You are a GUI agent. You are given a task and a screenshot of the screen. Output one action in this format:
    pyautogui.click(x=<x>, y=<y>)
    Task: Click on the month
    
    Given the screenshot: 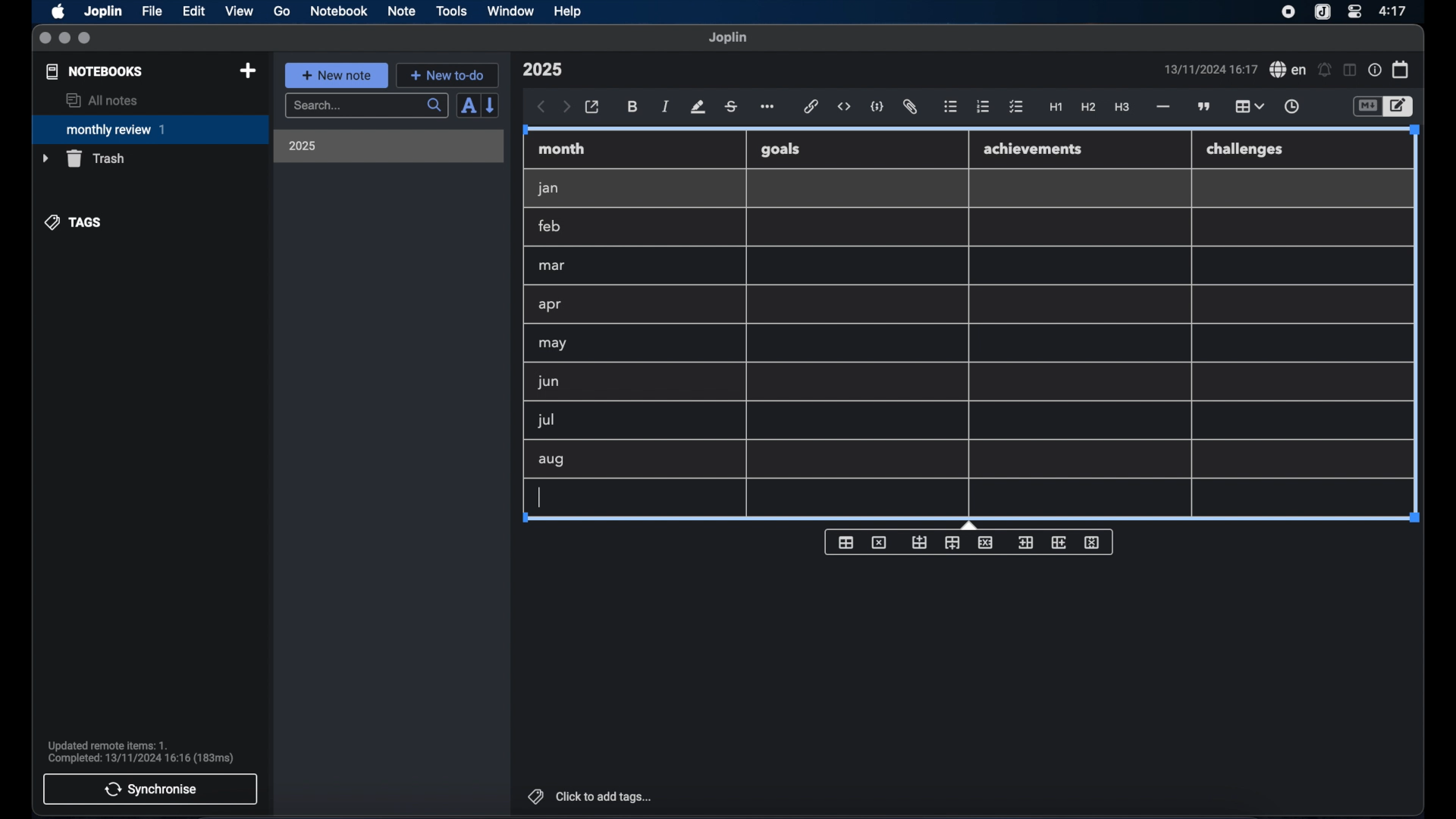 What is the action you would take?
    pyautogui.click(x=562, y=149)
    